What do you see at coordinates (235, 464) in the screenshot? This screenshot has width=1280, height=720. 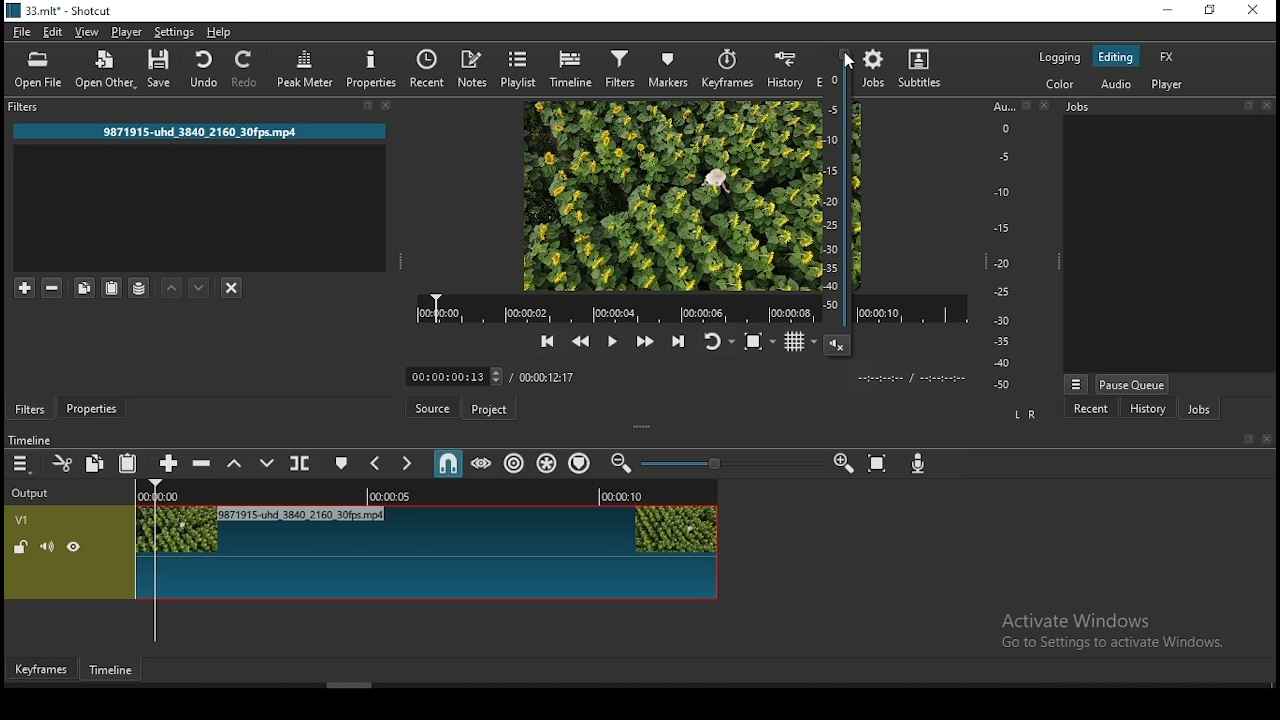 I see `lift` at bounding box center [235, 464].